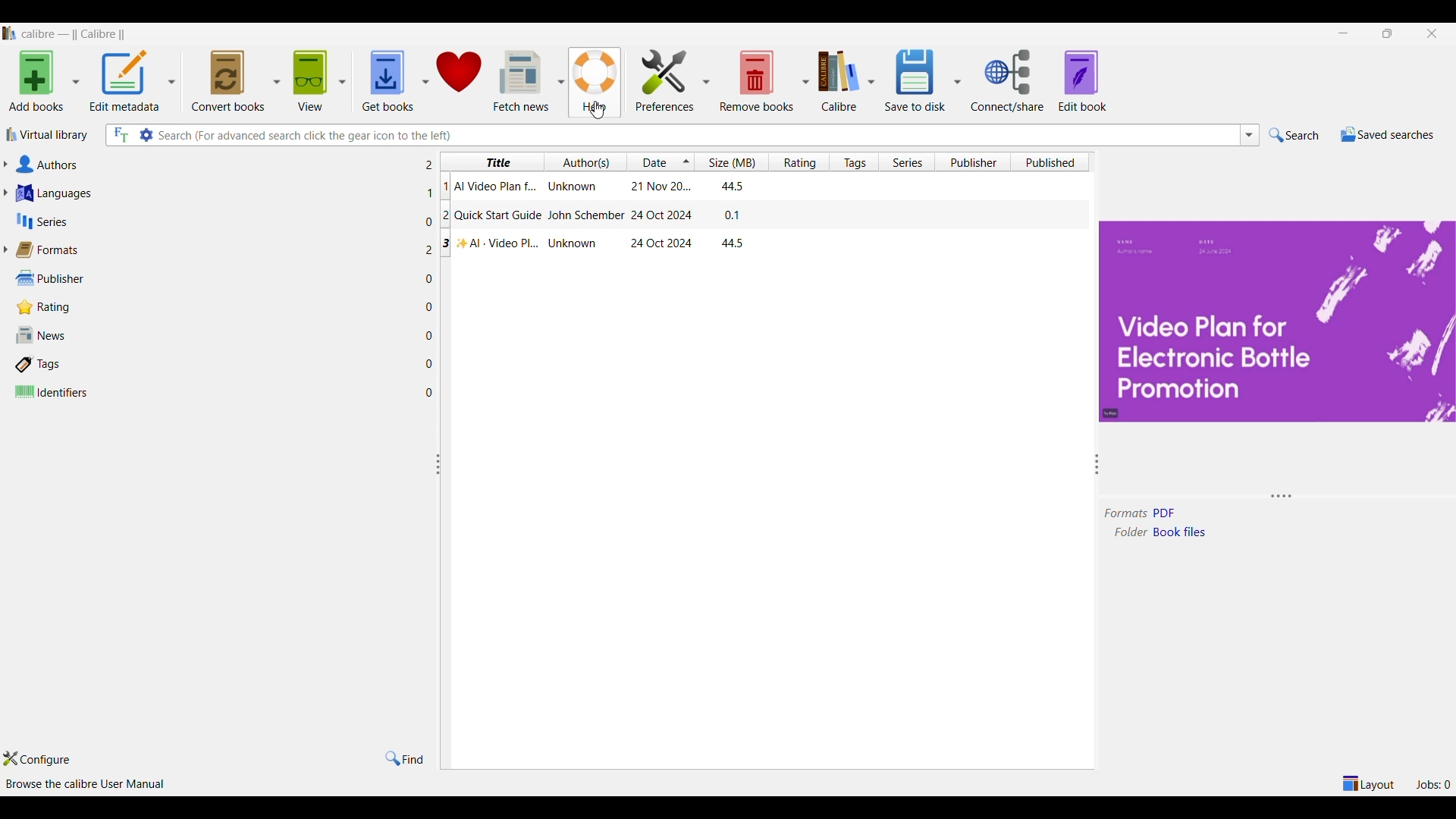 This screenshot has width=1456, height=819. I want to click on Expand Authors, so click(5, 164).